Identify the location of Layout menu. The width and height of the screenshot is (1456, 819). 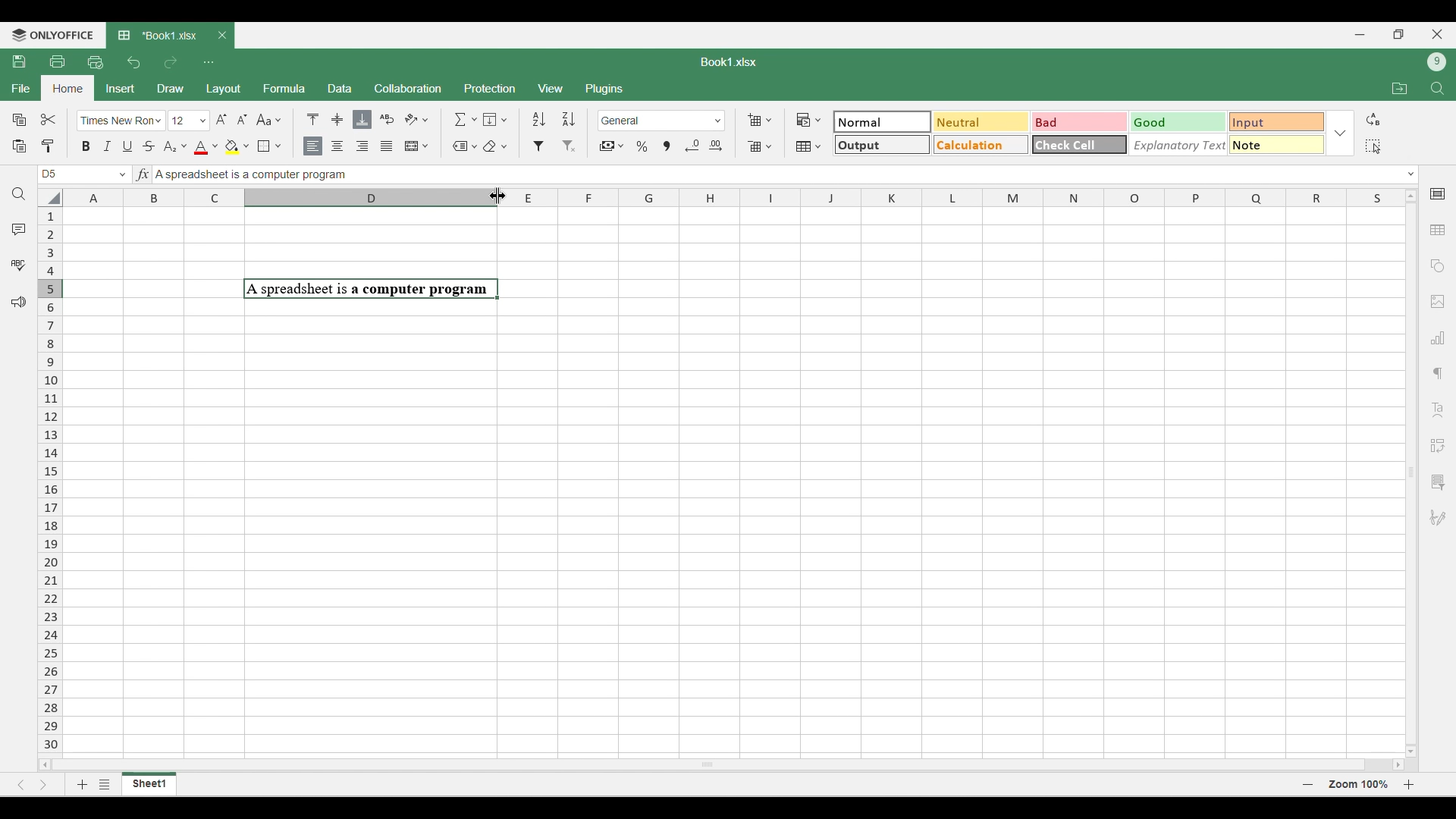
(224, 89).